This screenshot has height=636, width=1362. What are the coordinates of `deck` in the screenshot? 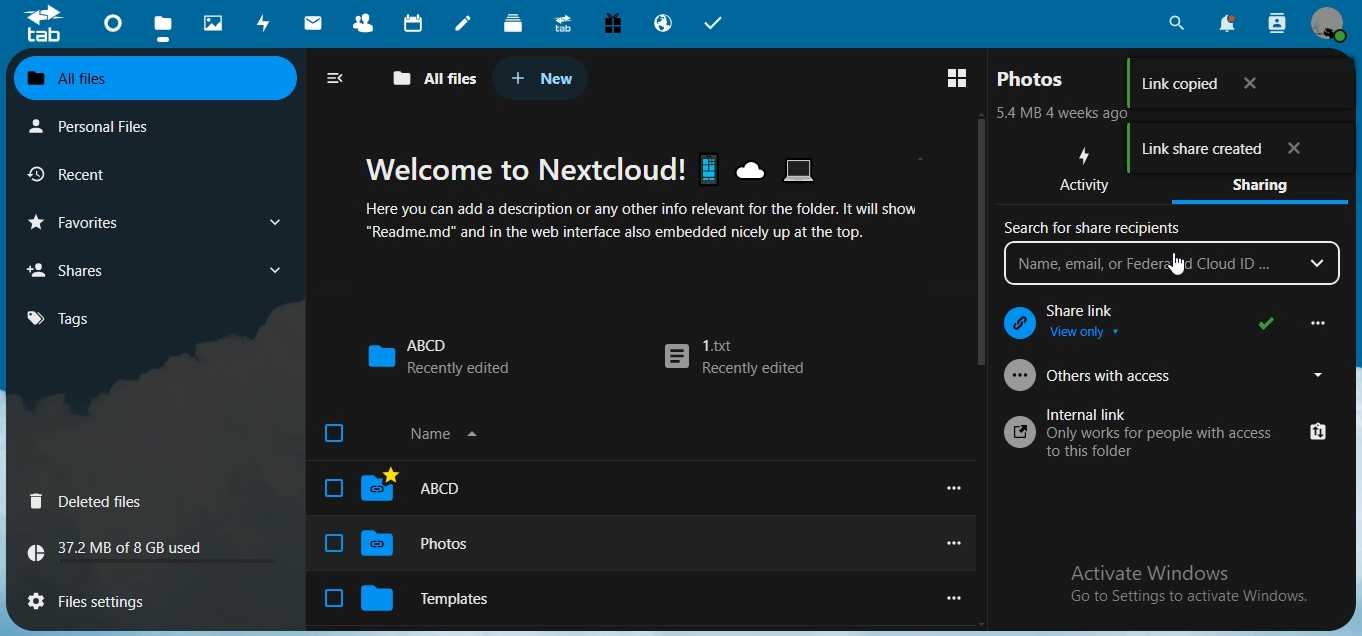 It's located at (513, 22).